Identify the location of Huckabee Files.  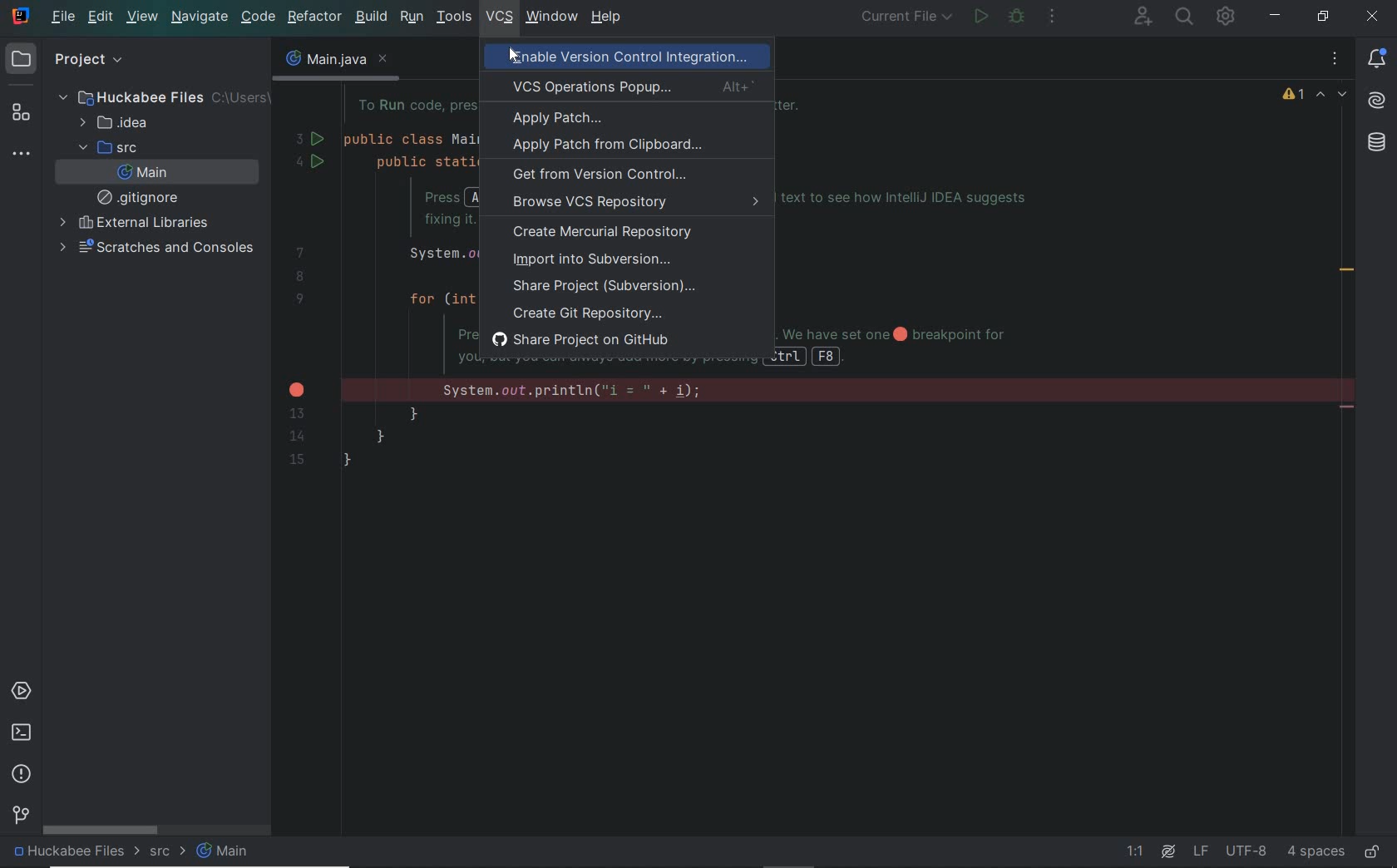
(158, 96).